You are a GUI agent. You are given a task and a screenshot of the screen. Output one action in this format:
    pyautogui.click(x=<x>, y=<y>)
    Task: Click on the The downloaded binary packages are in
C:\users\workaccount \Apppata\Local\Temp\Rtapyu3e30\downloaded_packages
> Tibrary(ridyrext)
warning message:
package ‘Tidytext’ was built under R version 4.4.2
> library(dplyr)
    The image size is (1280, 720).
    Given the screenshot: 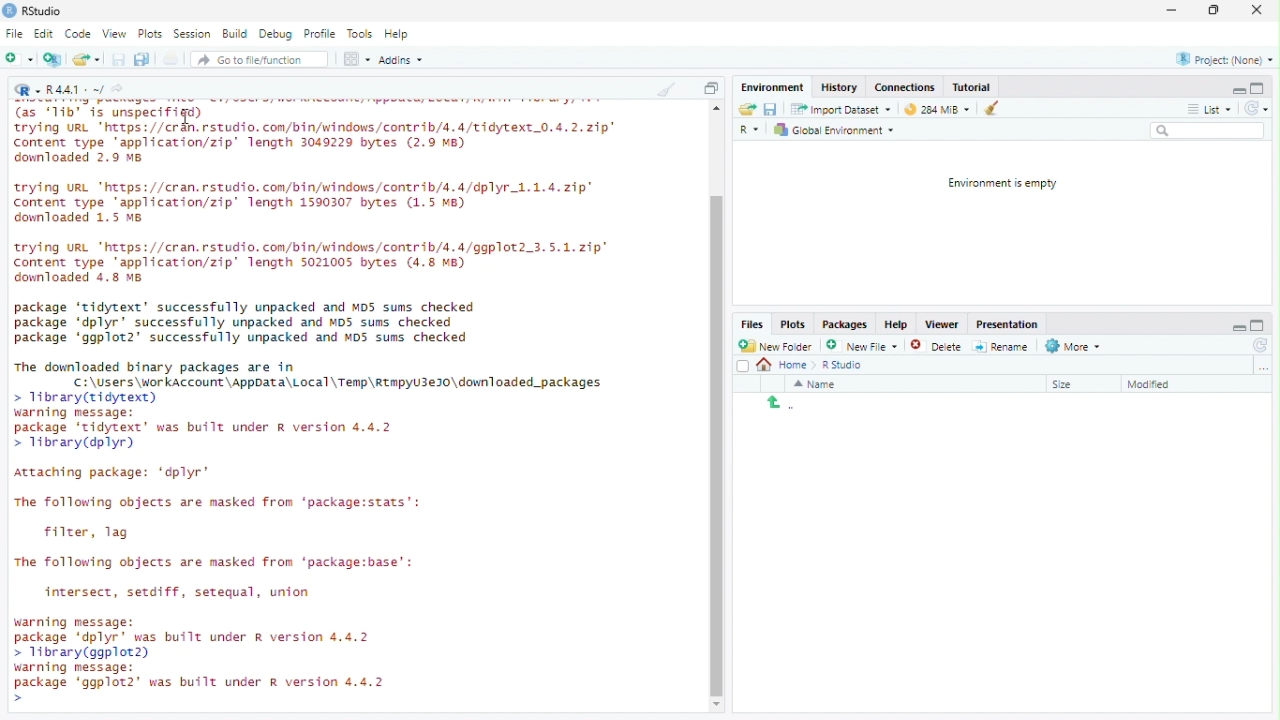 What is the action you would take?
    pyautogui.click(x=311, y=406)
    